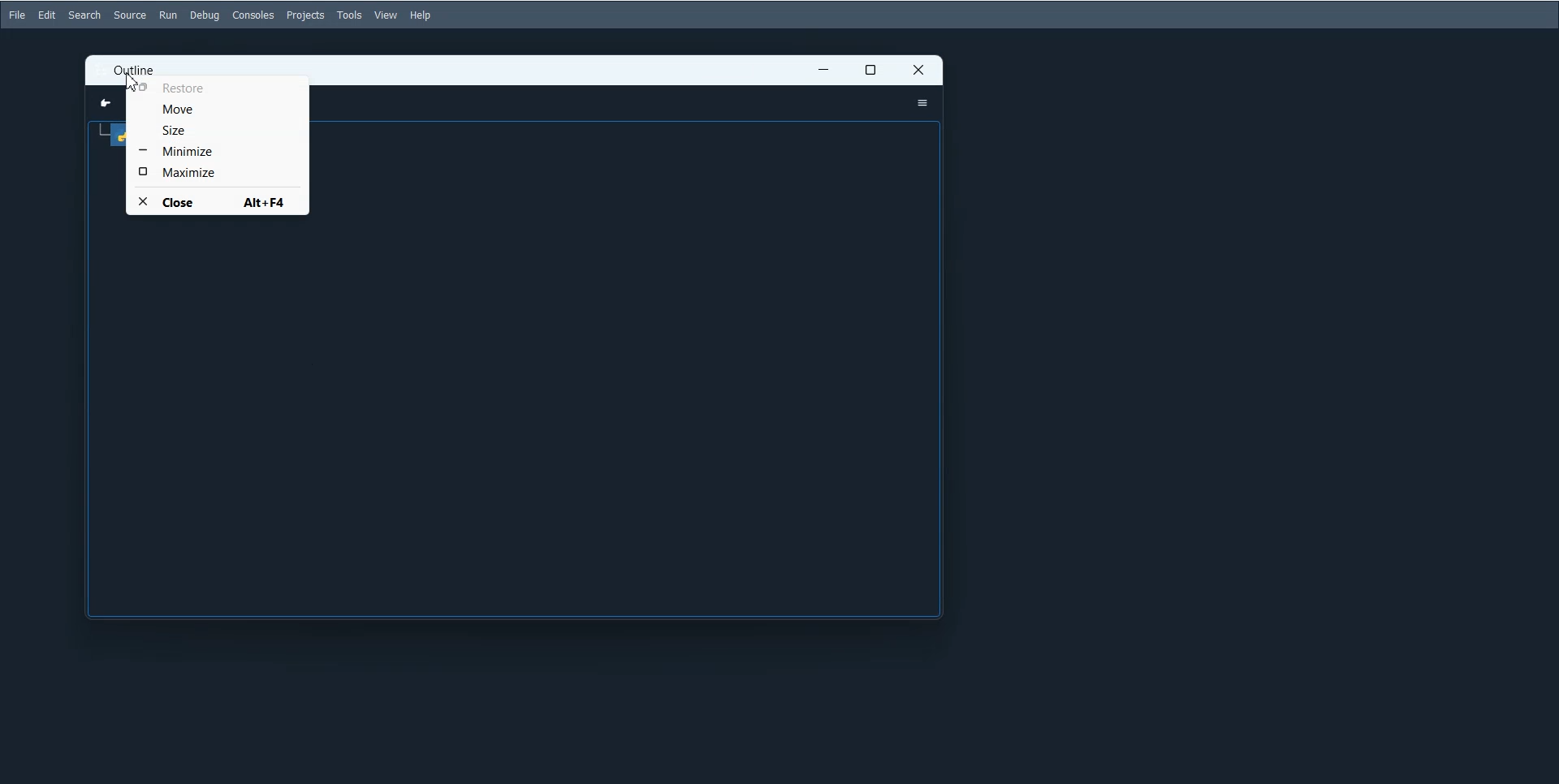 Image resolution: width=1559 pixels, height=784 pixels. What do you see at coordinates (47, 14) in the screenshot?
I see `Edit` at bounding box center [47, 14].